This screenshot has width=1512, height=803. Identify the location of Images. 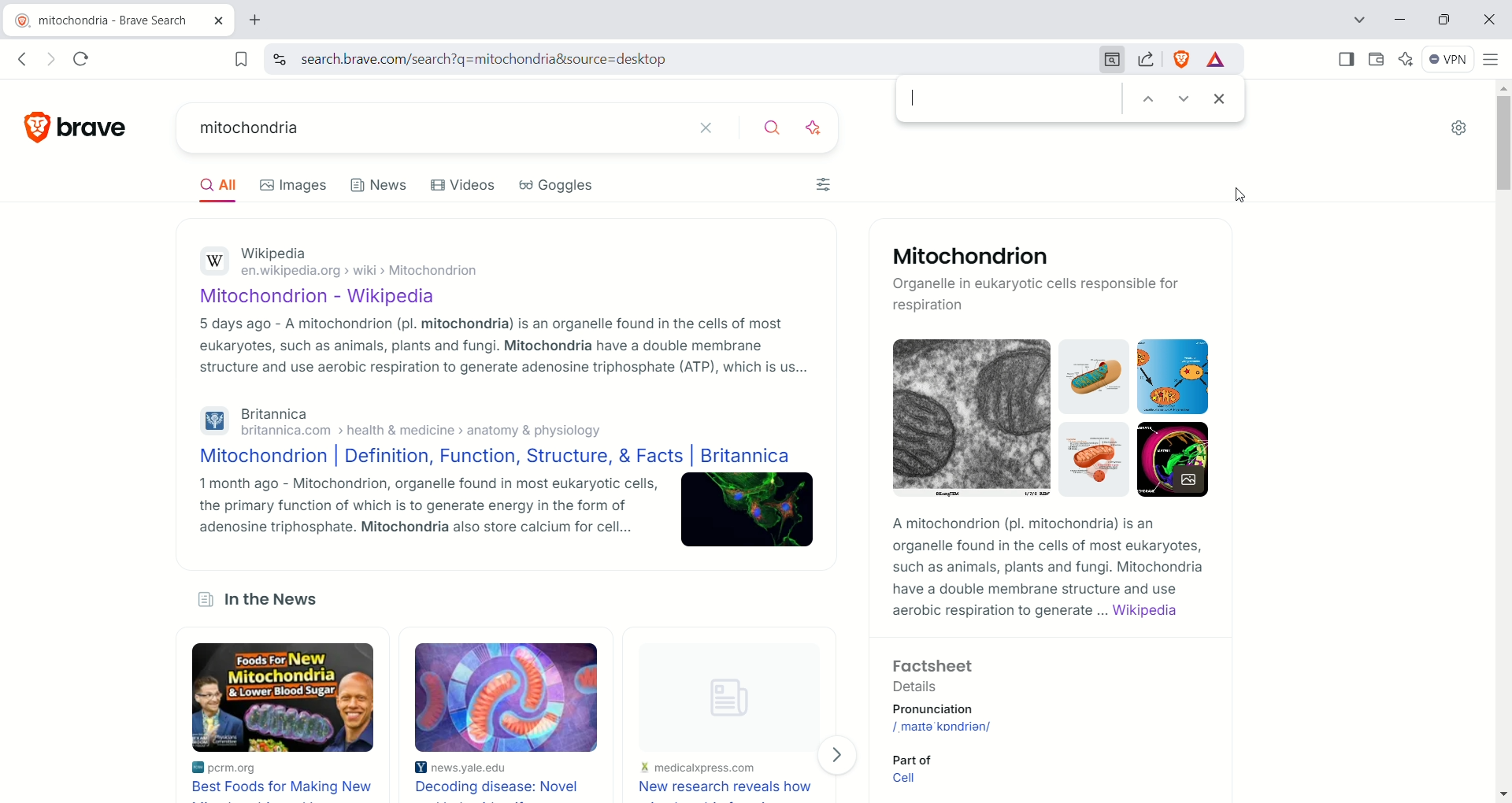
(291, 183).